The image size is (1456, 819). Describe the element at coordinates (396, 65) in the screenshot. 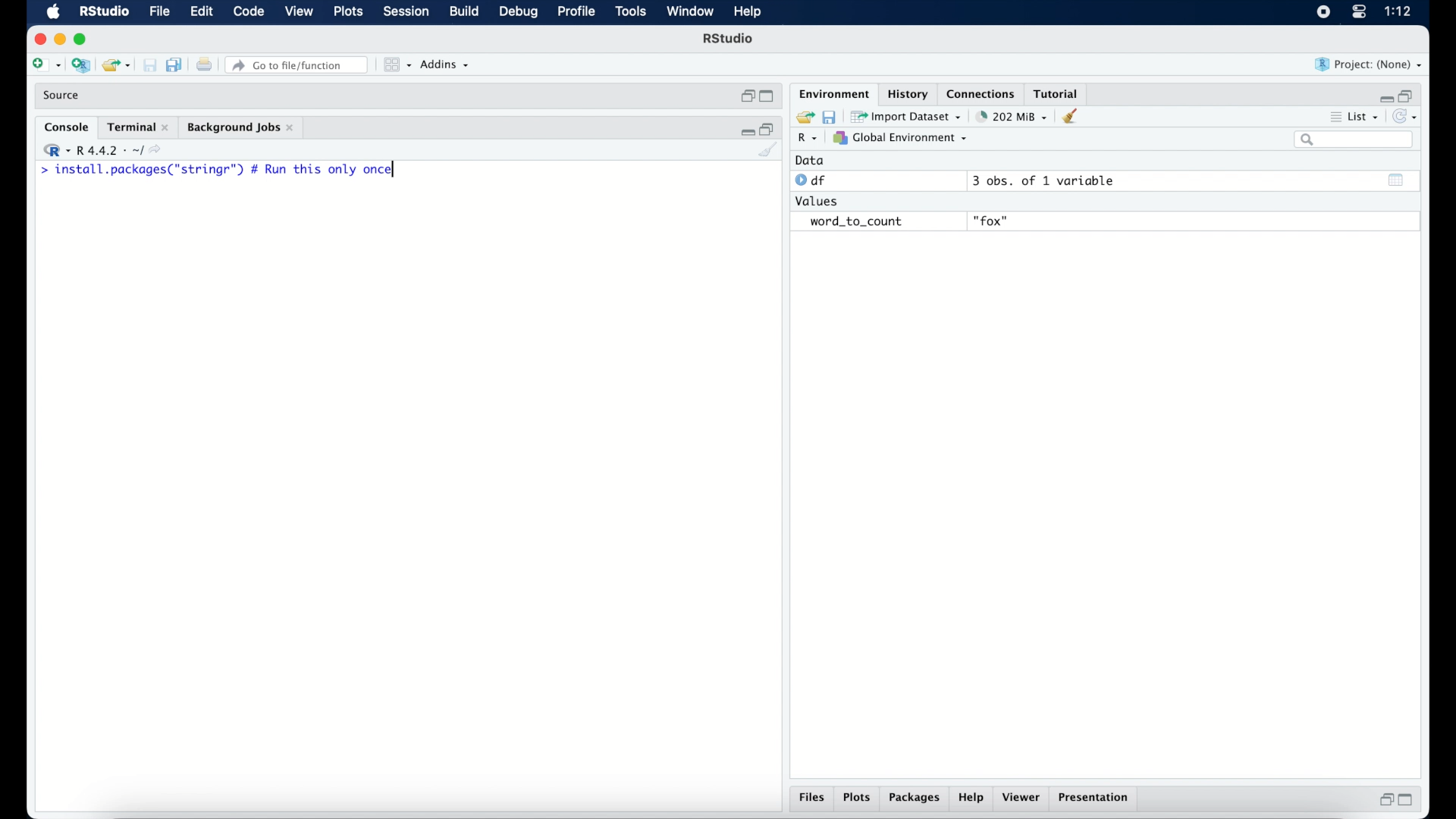

I see `view in pane` at that location.